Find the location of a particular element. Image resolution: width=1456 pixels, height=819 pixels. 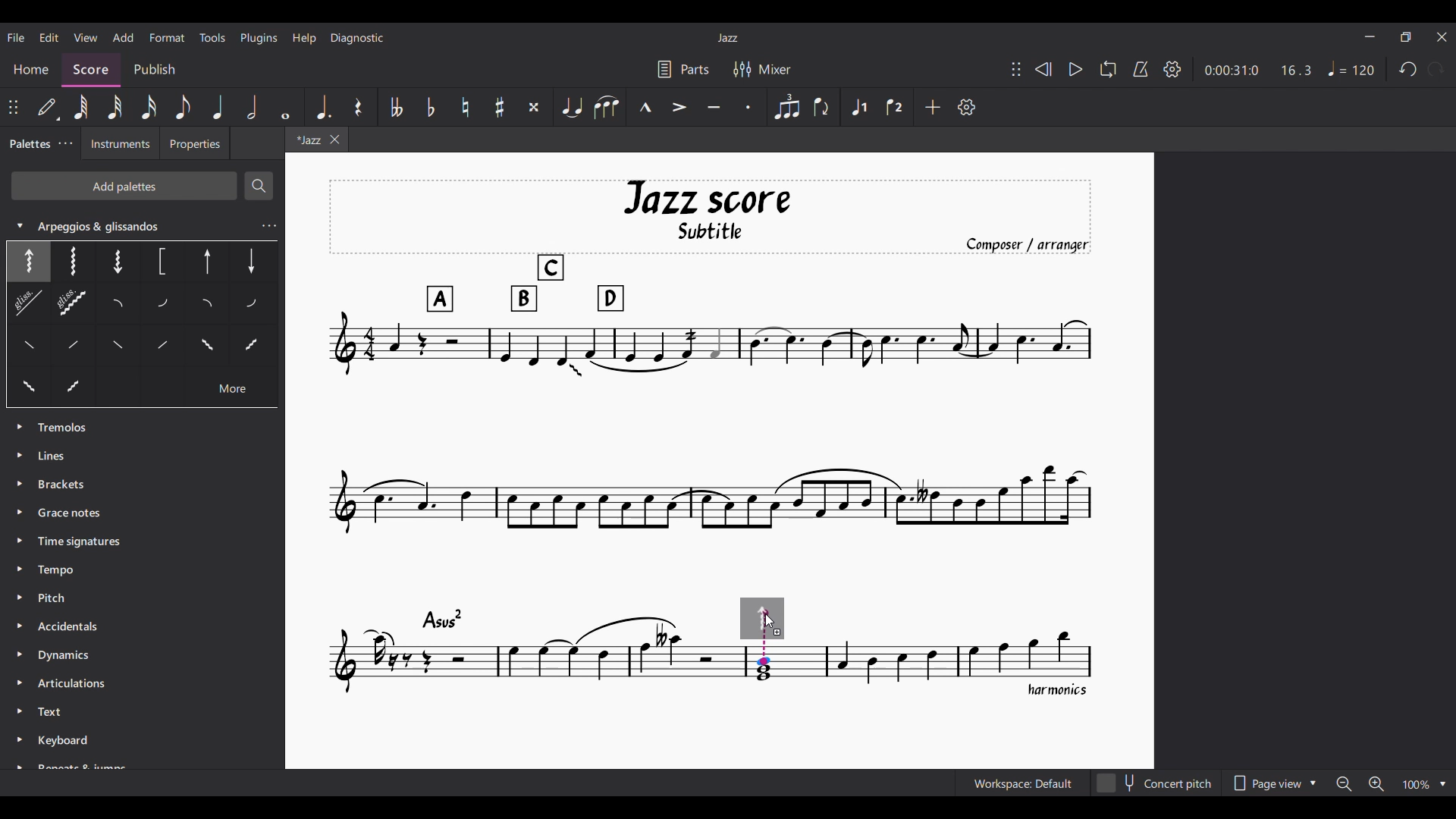

Toggle sharp is located at coordinates (500, 107).